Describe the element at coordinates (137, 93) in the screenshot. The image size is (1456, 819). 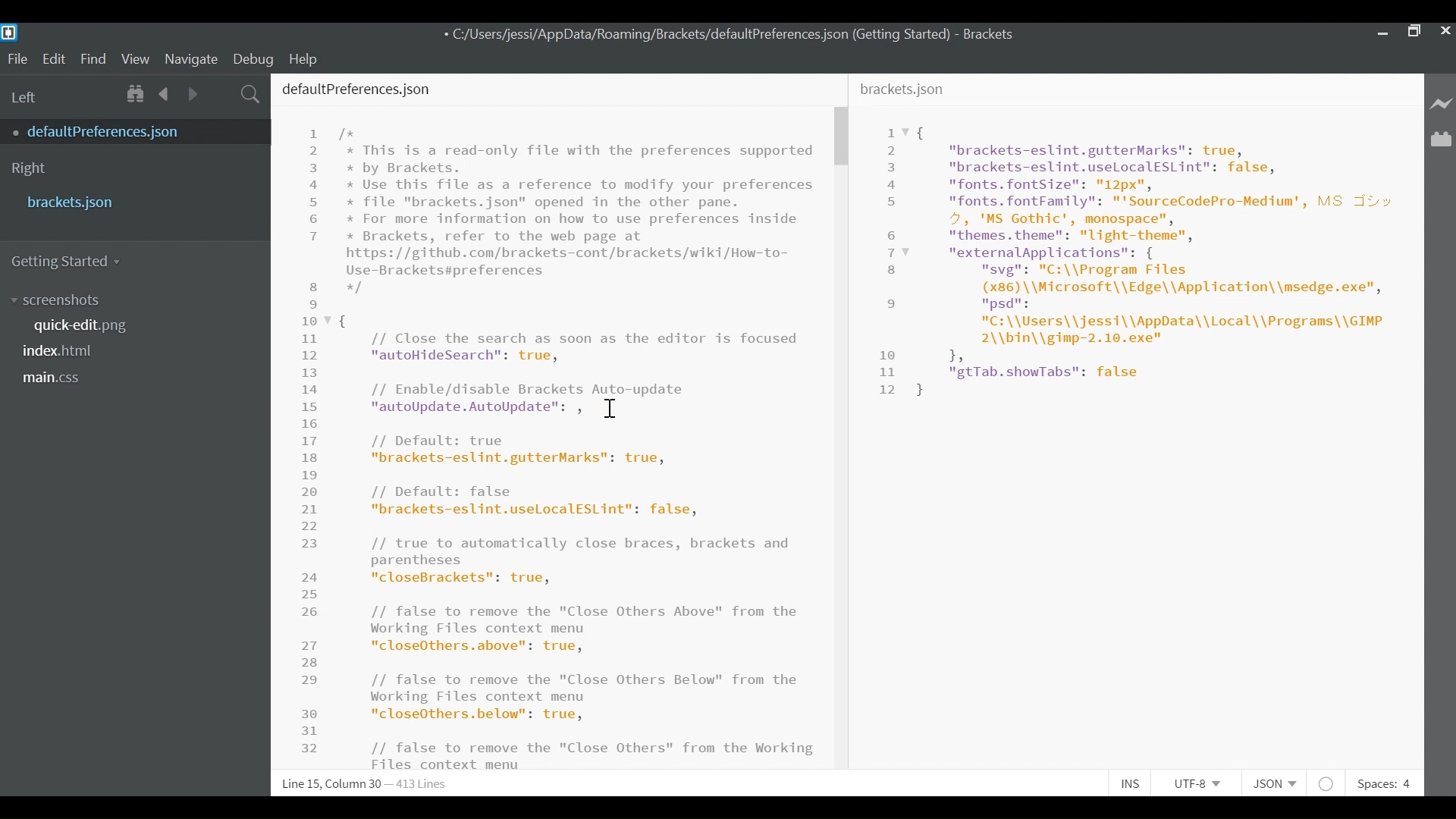
I see `Show Files in tree` at that location.